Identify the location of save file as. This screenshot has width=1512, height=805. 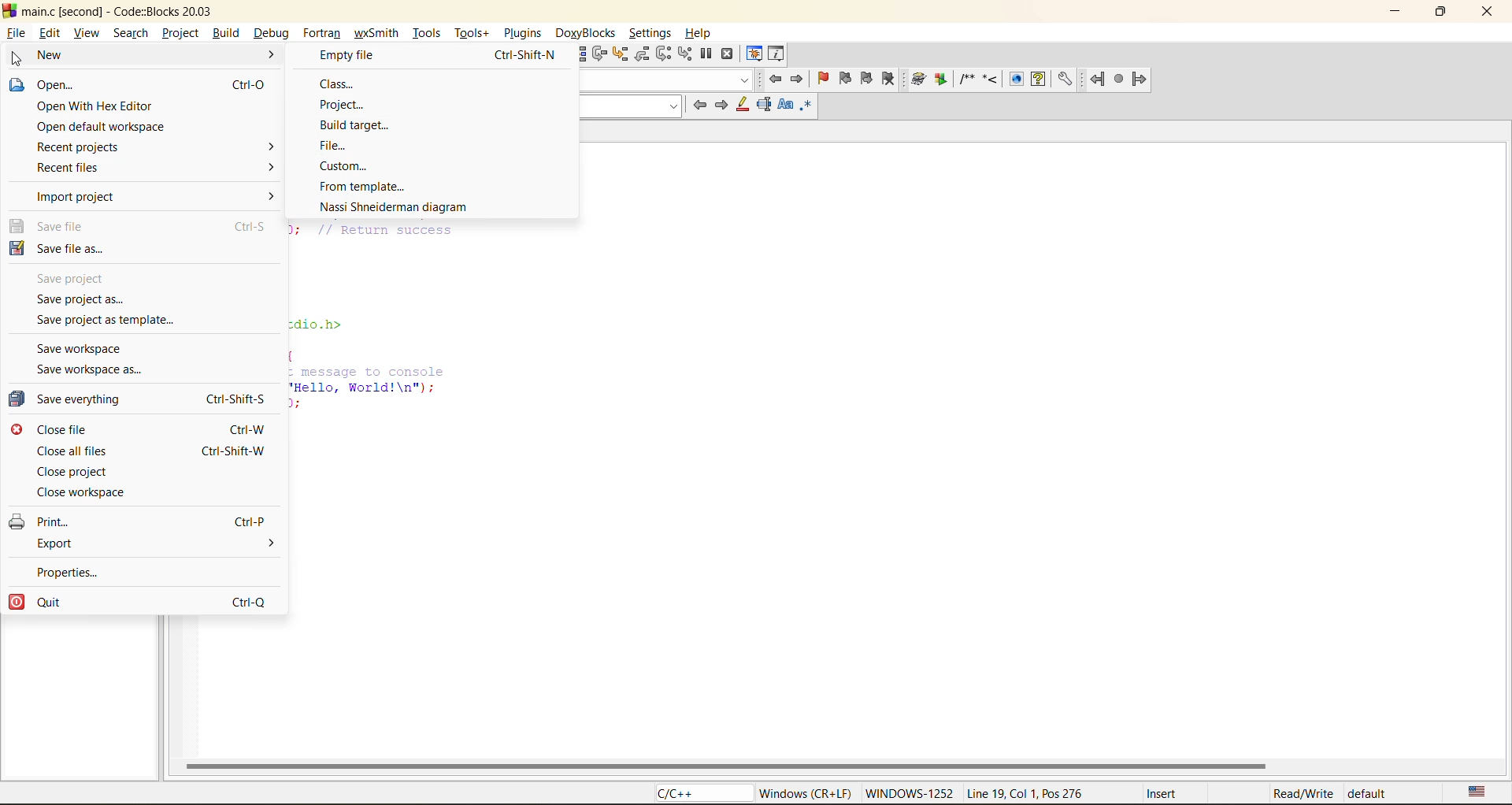
(67, 250).